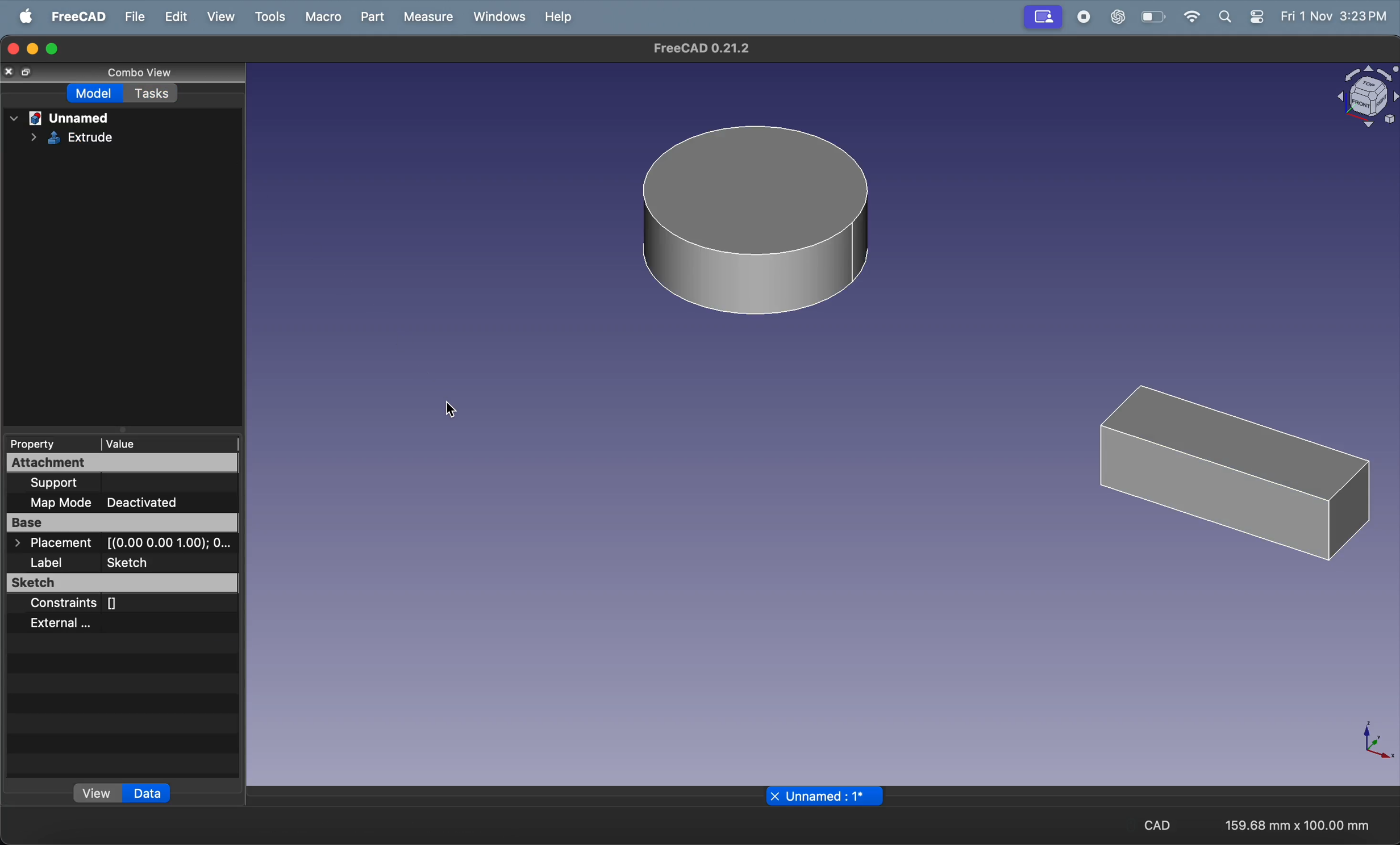 The height and width of the screenshot is (845, 1400). Describe the element at coordinates (39, 444) in the screenshot. I see `Property` at that location.